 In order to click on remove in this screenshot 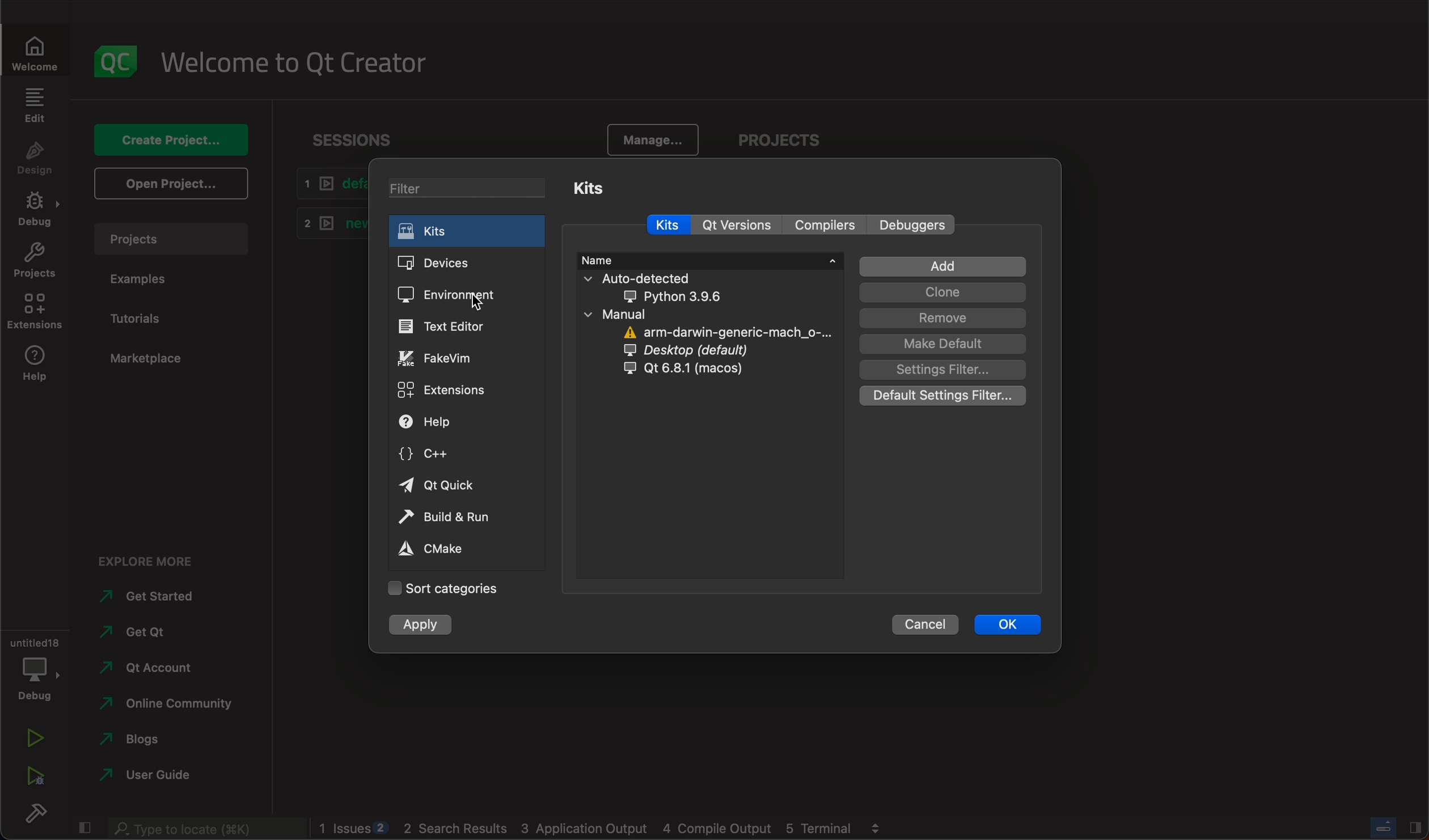, I will do `click(942, 319)`.